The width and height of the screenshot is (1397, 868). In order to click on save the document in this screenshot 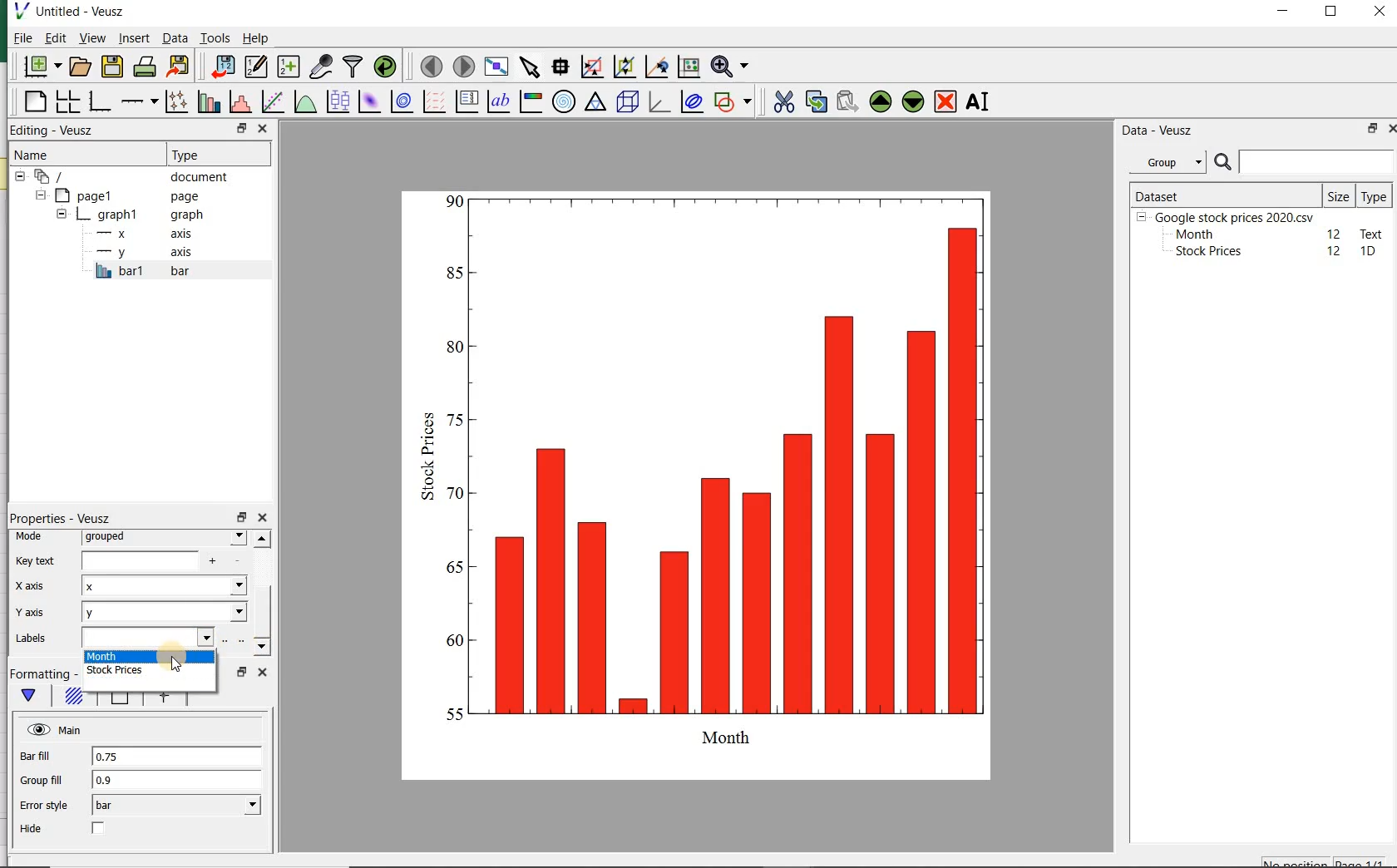, I will do `click(112, 67)`.